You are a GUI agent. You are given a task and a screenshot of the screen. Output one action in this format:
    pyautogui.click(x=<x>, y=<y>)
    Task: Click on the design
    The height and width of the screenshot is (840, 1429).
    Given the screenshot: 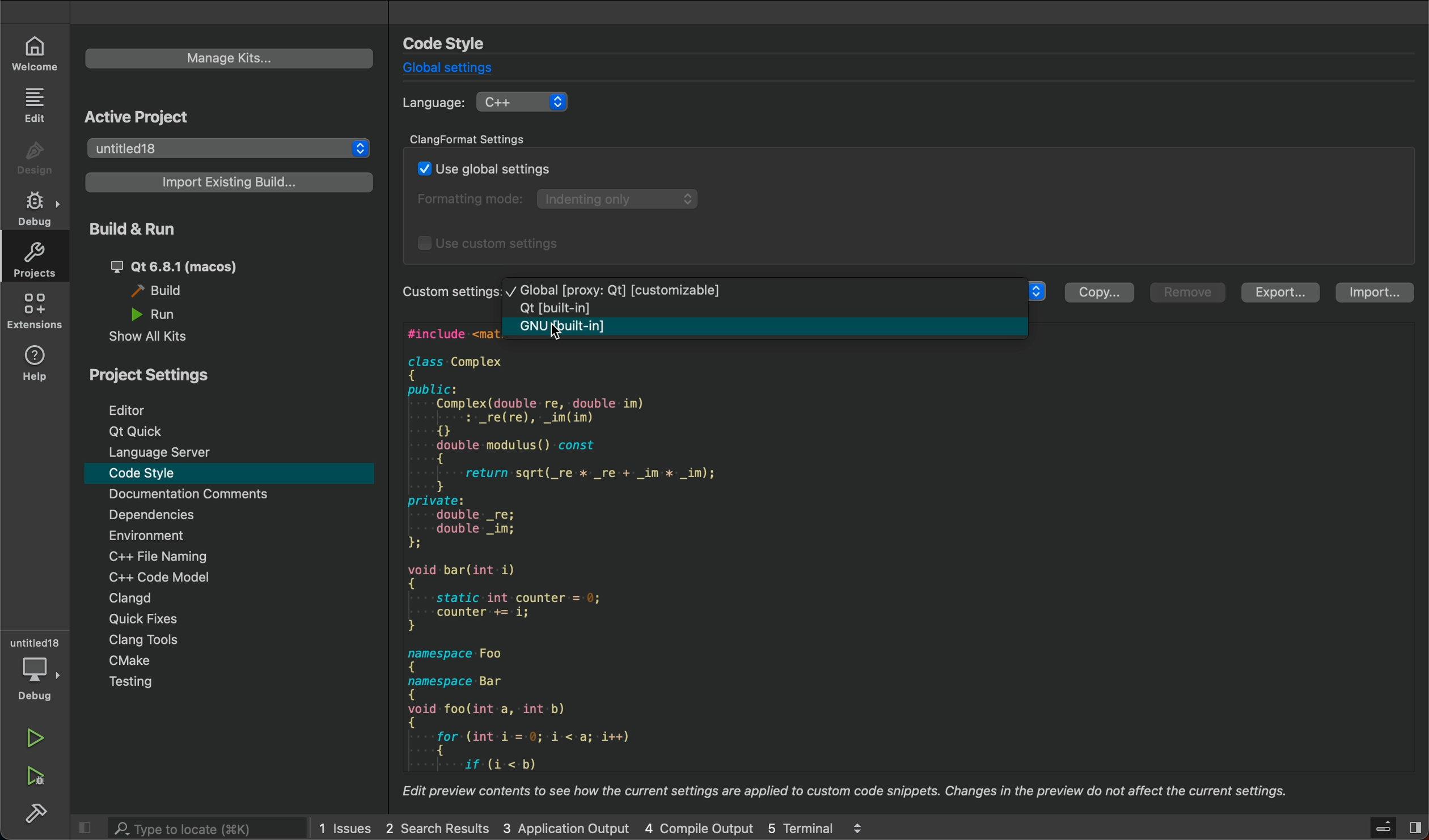 What is the action you would take?
    pyautogui.click(x=34, y=160)
    